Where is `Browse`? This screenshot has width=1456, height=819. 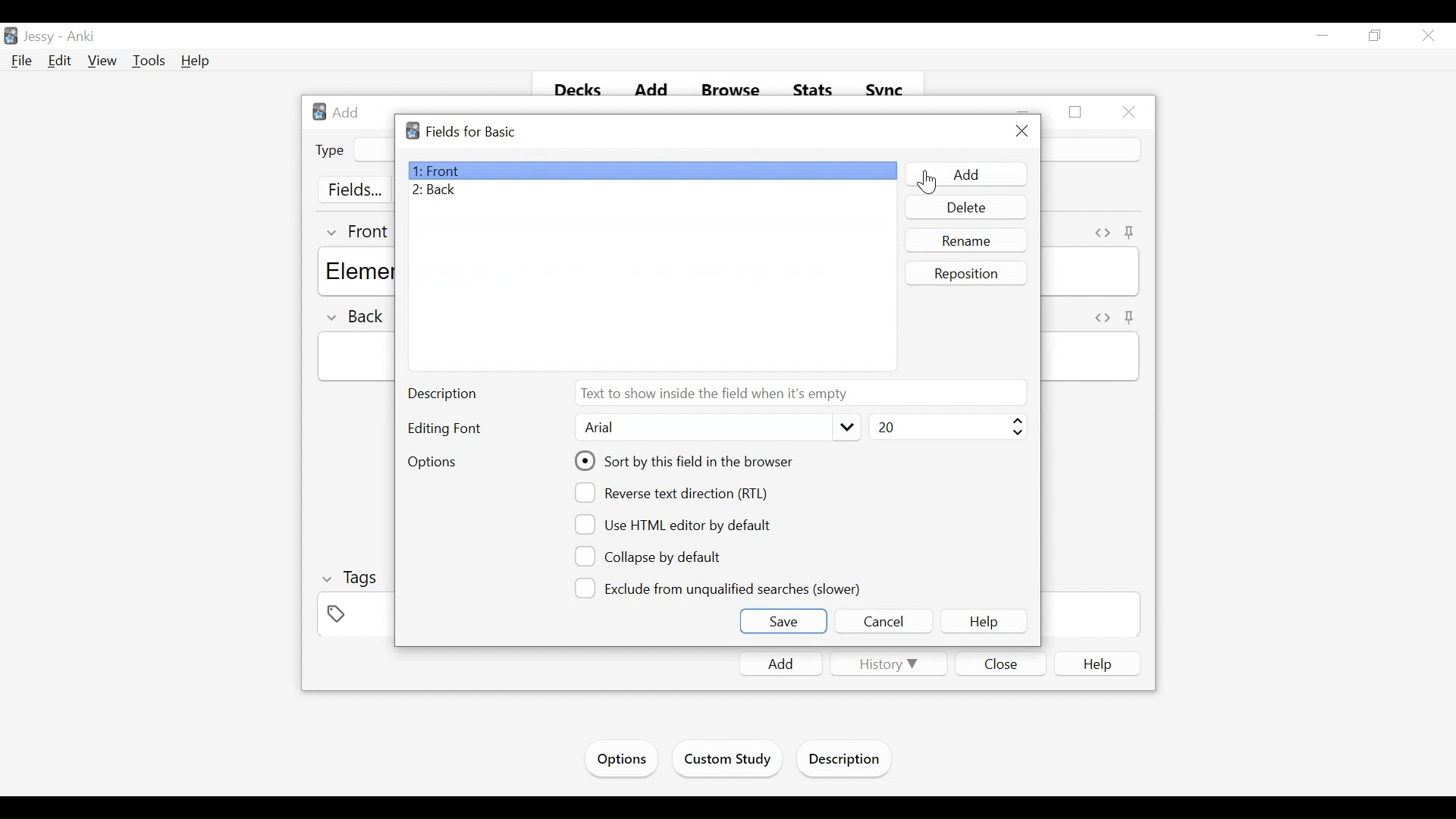 Browse is located at coordinates (733, 91).